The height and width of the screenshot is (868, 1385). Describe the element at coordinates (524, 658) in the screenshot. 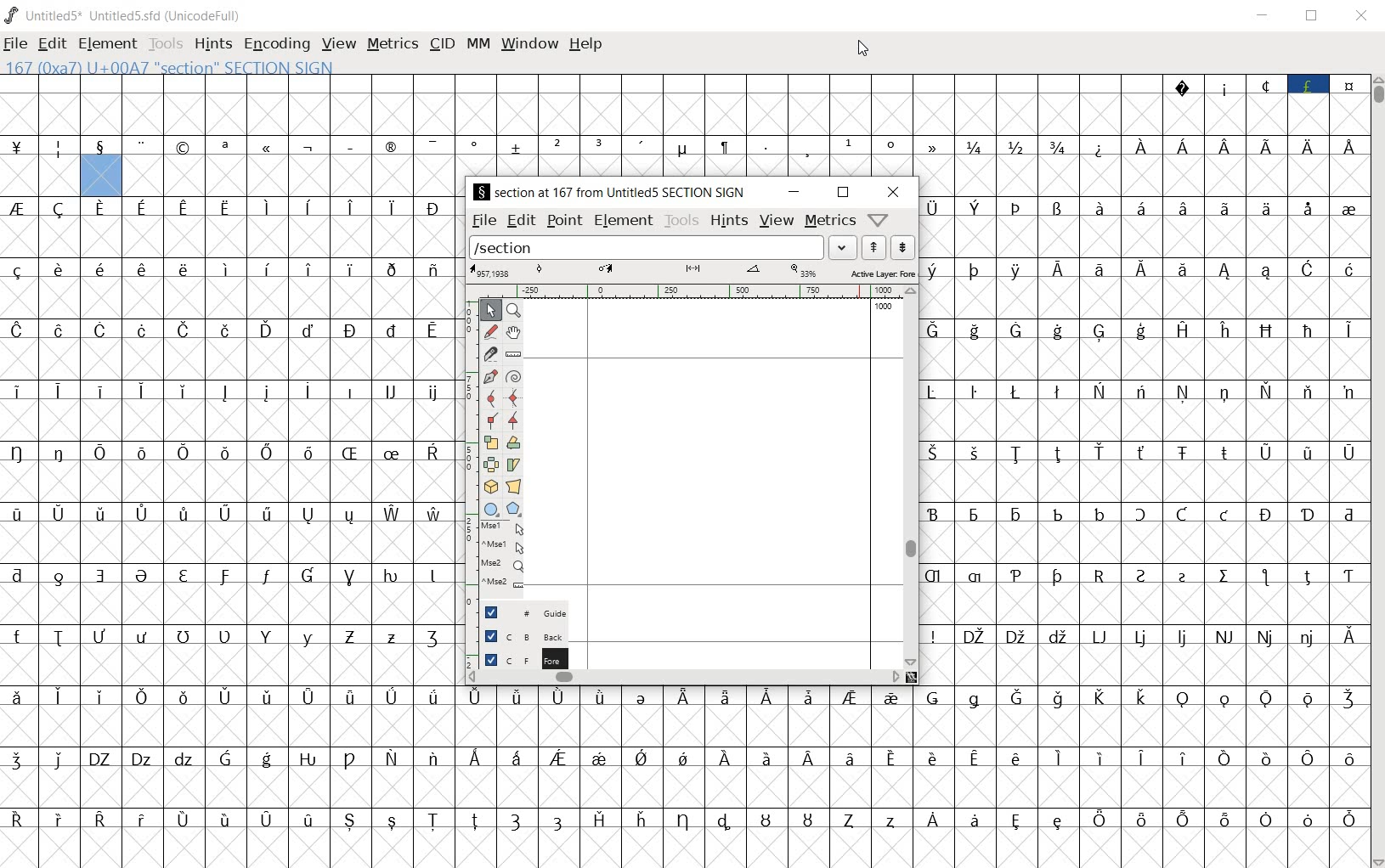

I see `foreground layer` at that location.